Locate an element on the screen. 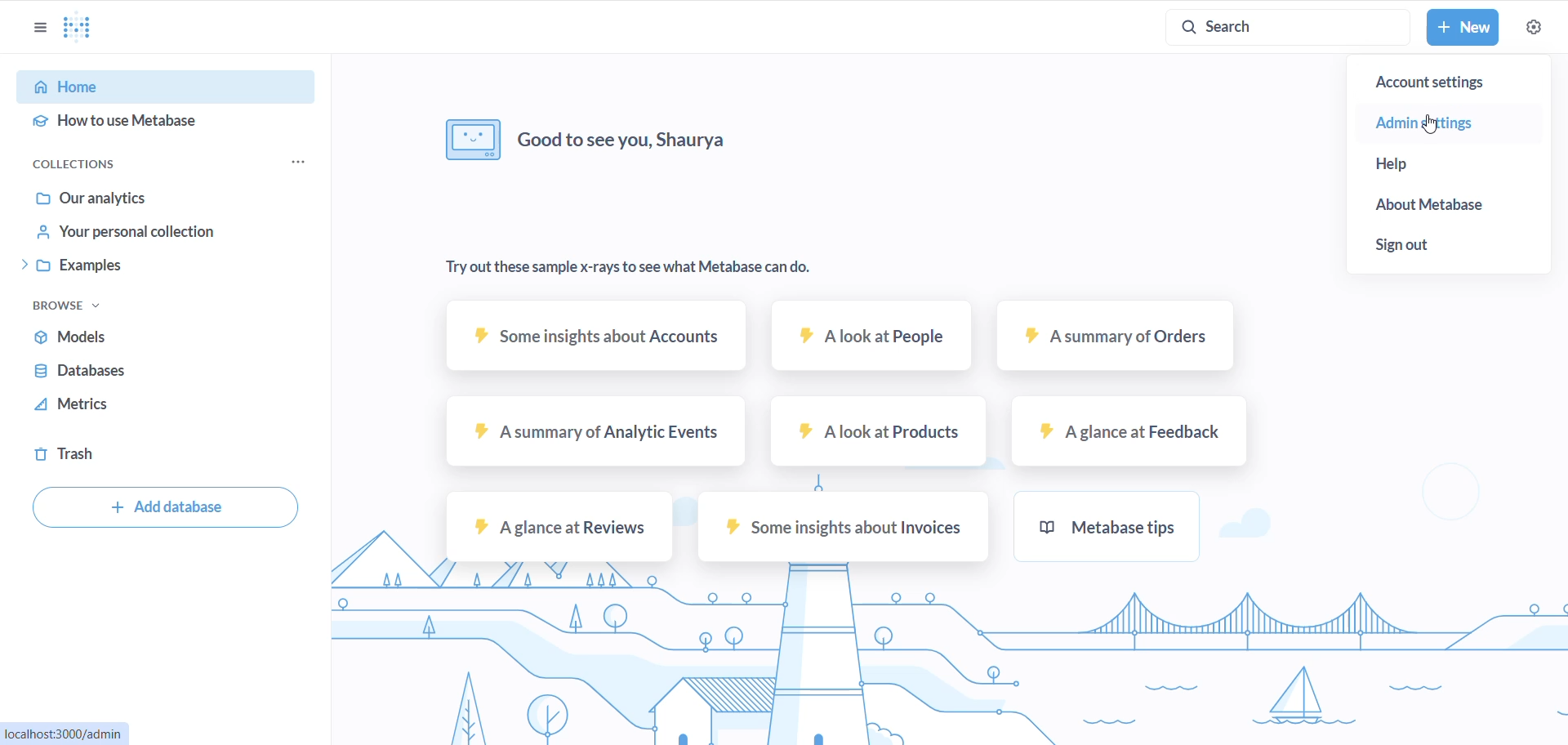 The height and width of the screenshot is (745, 1568). LOGO is located at coordinates (86, 29).